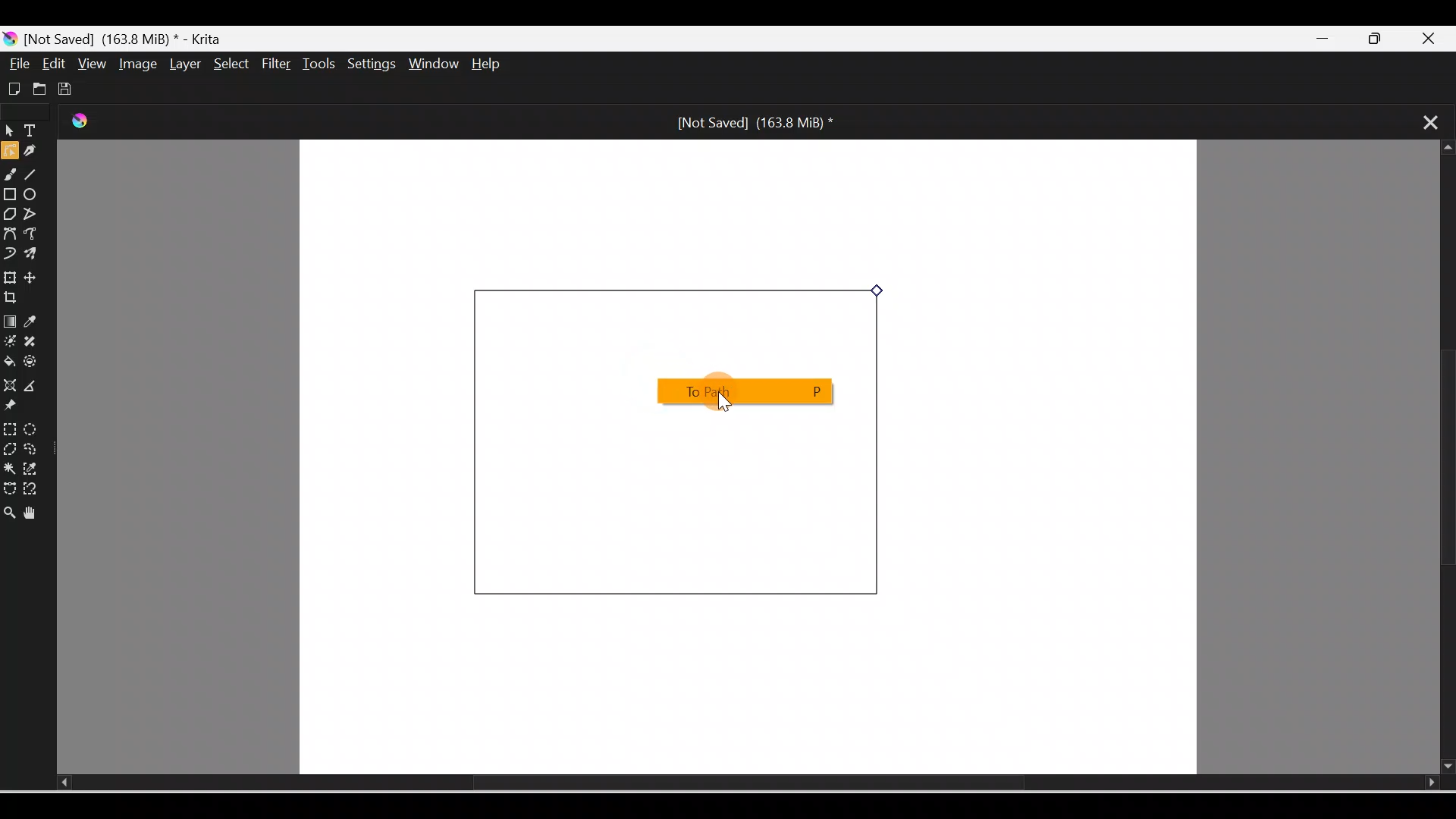 Image resolution: width=1456 pixels, height=819 pixels. What do you see at coordinates (121, 37) in the screenshot?
I see `[Not Saved] (171.2 MiB) * - Krita` at bounding box center [121, 37].